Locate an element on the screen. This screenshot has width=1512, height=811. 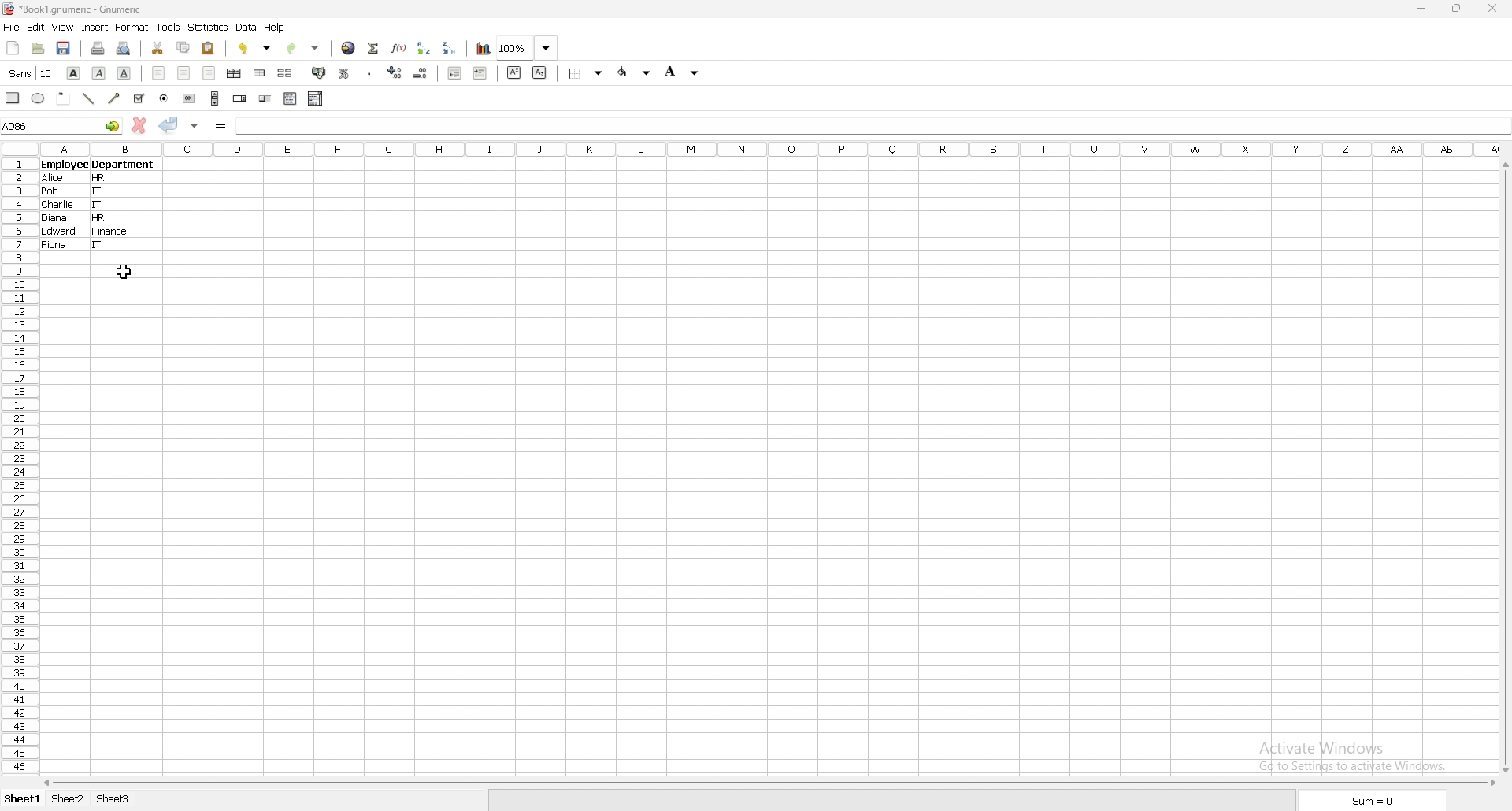
cell input is located at coordinates (866, 124).